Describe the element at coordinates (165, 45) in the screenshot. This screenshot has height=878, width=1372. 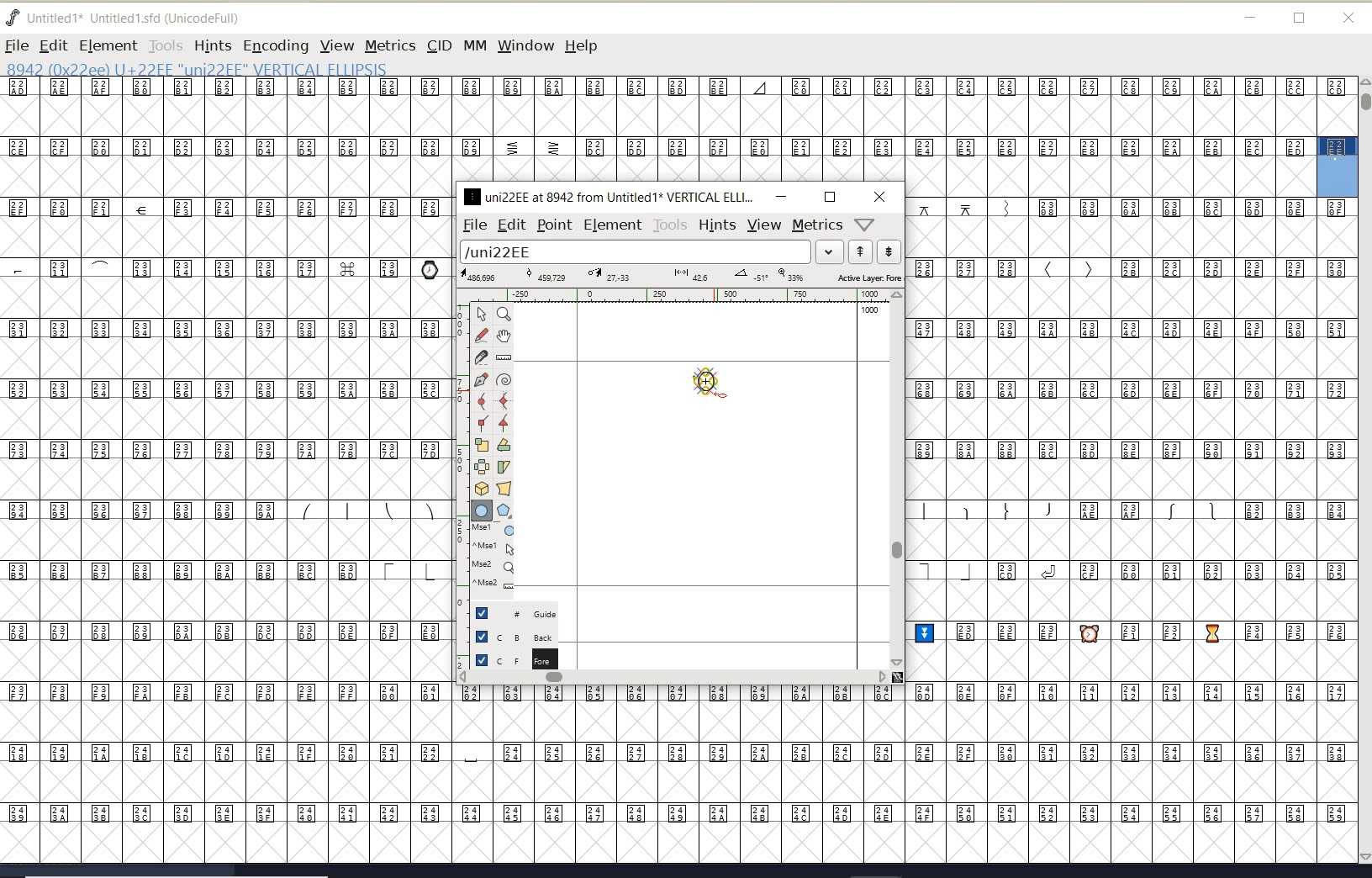
I see `TOOLS` at that location.